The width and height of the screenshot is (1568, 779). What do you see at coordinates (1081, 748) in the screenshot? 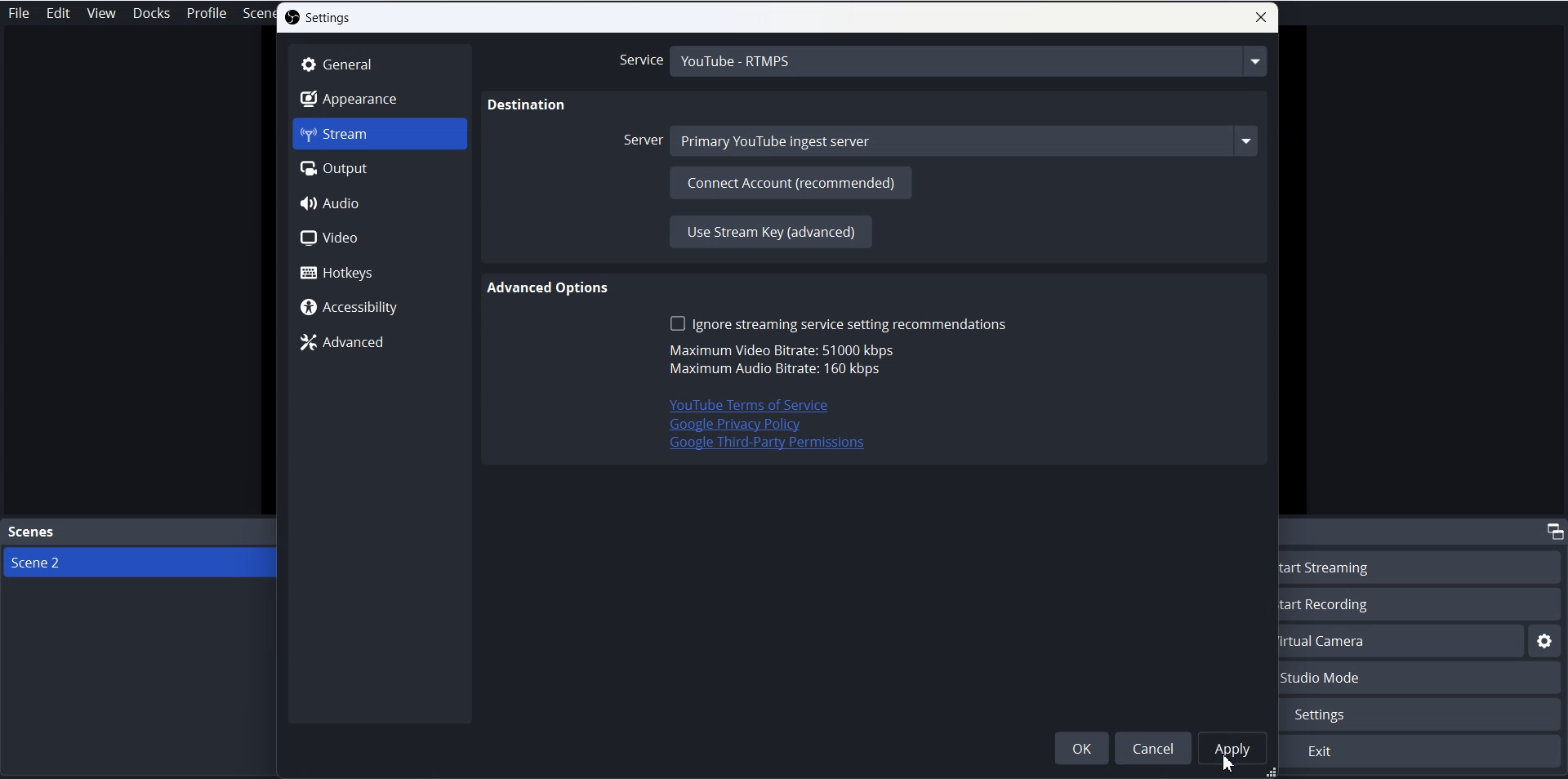
I see `OK` at bounding box center [1081, 748].